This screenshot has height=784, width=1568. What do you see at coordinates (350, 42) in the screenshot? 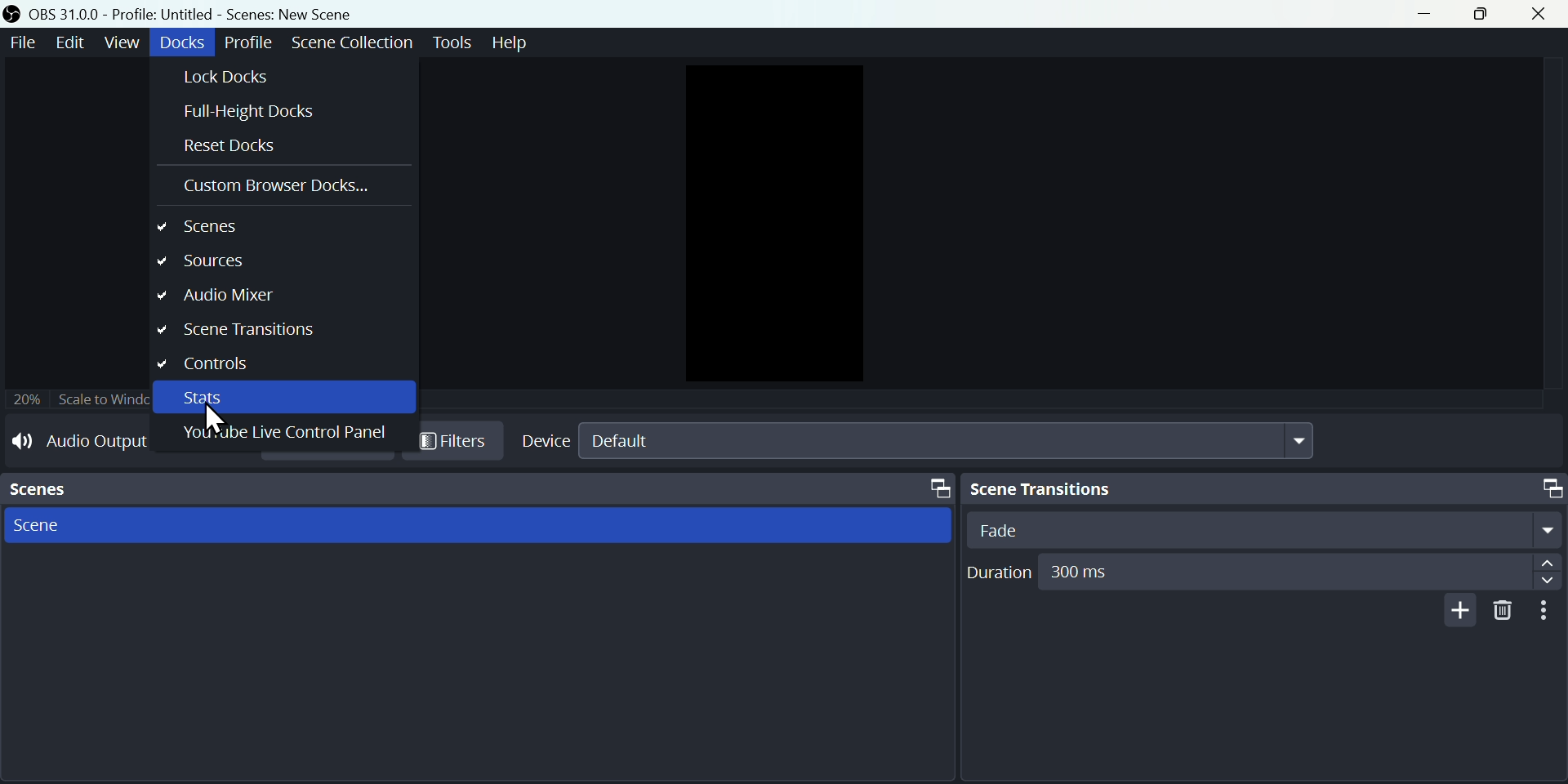
I see `scene collection` at bounding box center [350, 42].